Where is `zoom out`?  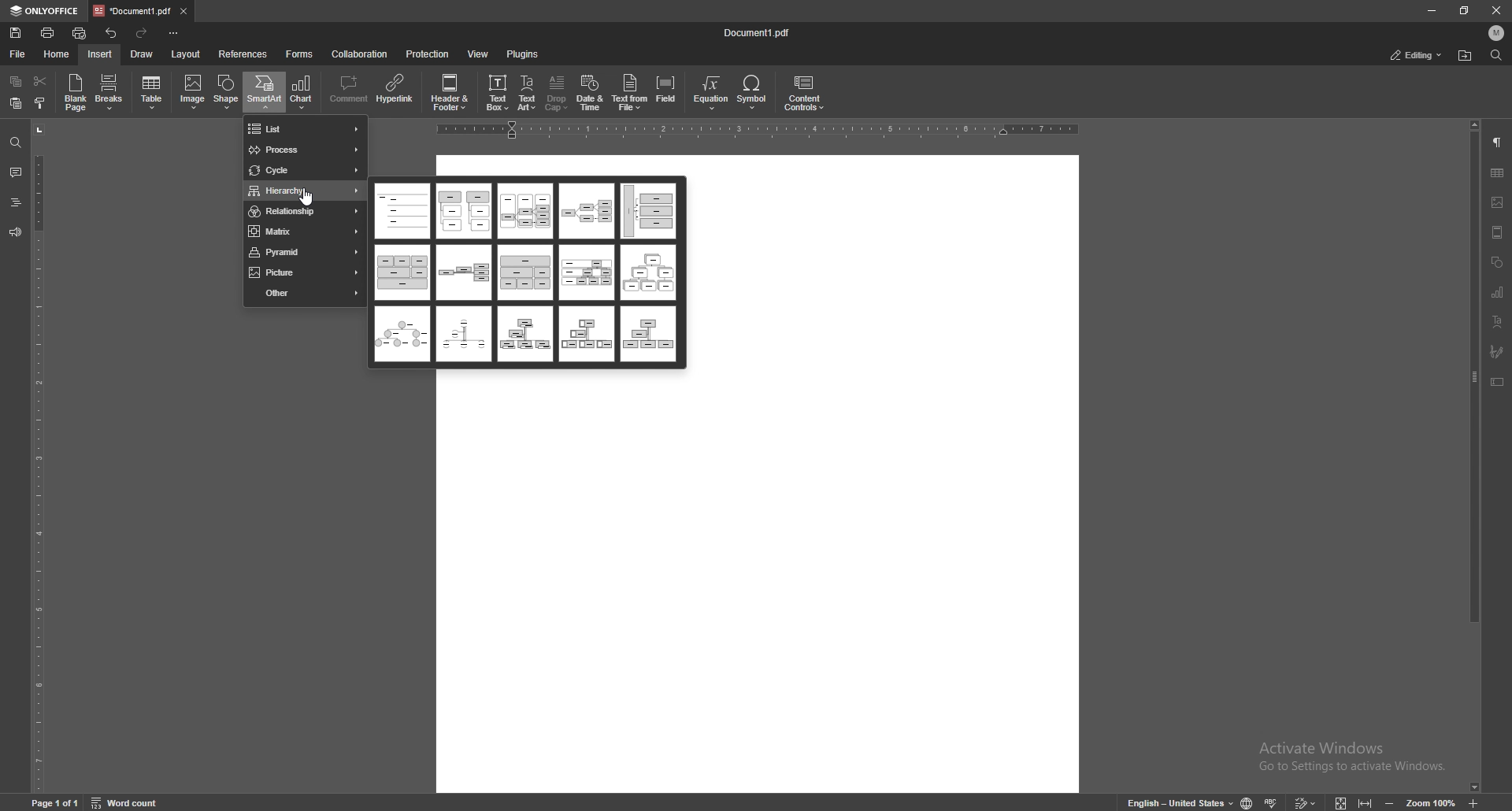 zoom out is located at coordinates (1388, 802).